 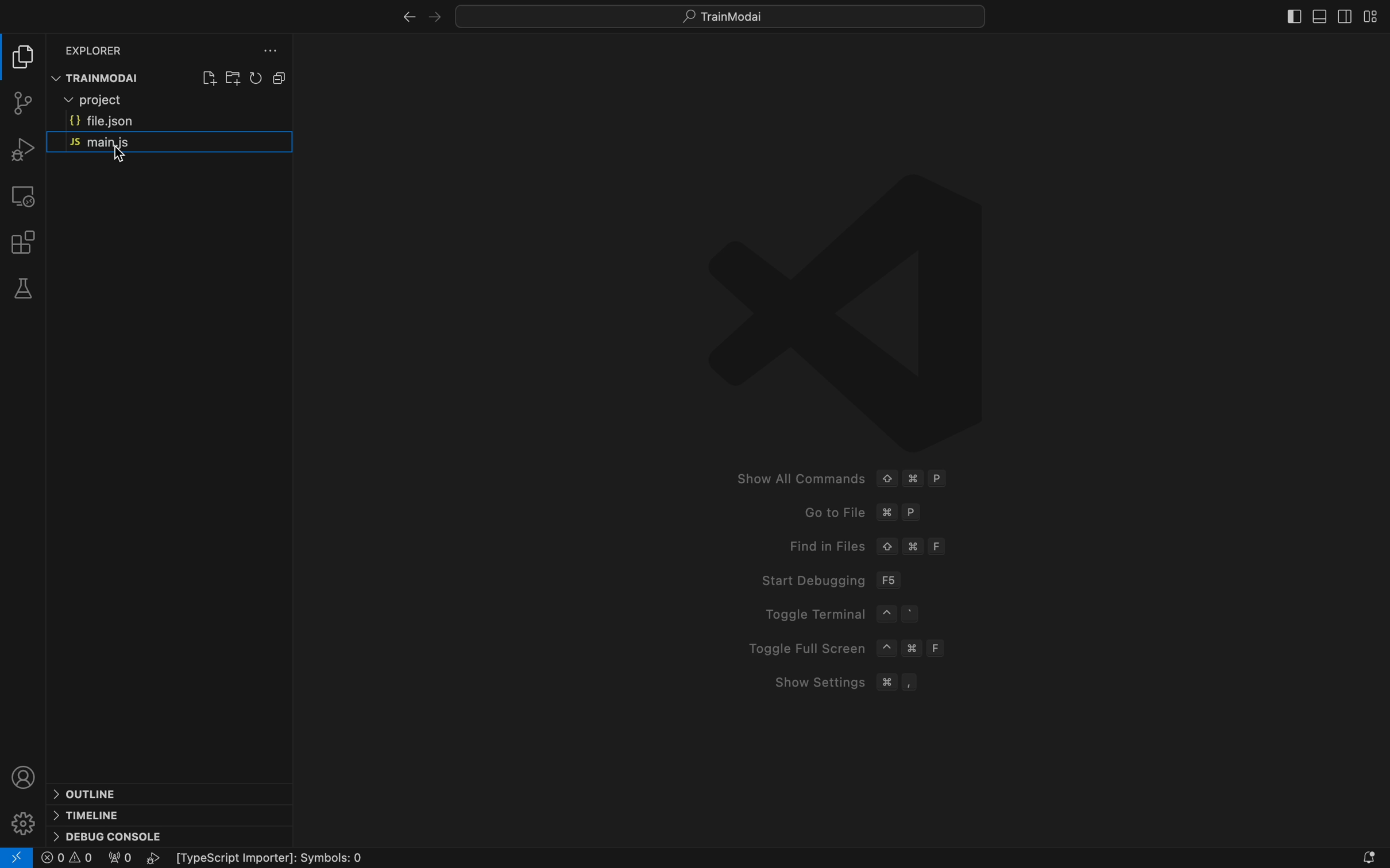 What do you see at coordinates (1291, 17) in the screenshot?
I see `sidebat left` at bounding box center [1291, 17].